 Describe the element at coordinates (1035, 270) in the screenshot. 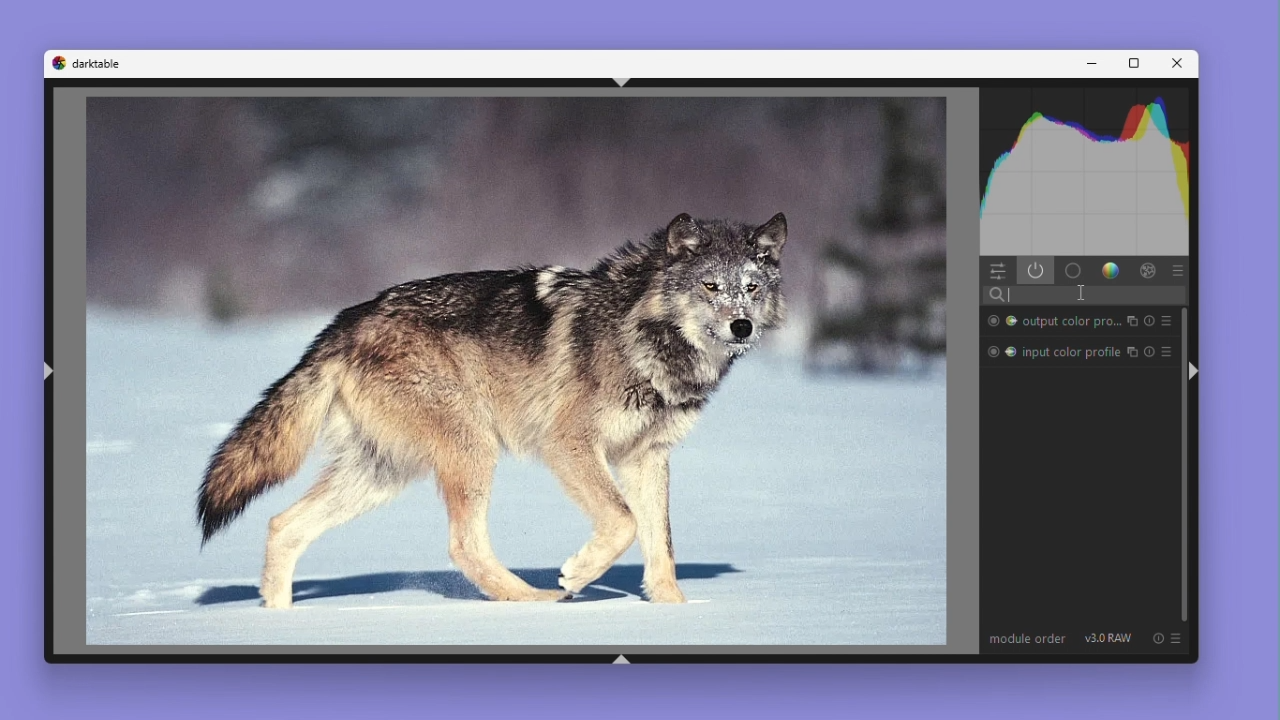

I see `Power Button` at that location.